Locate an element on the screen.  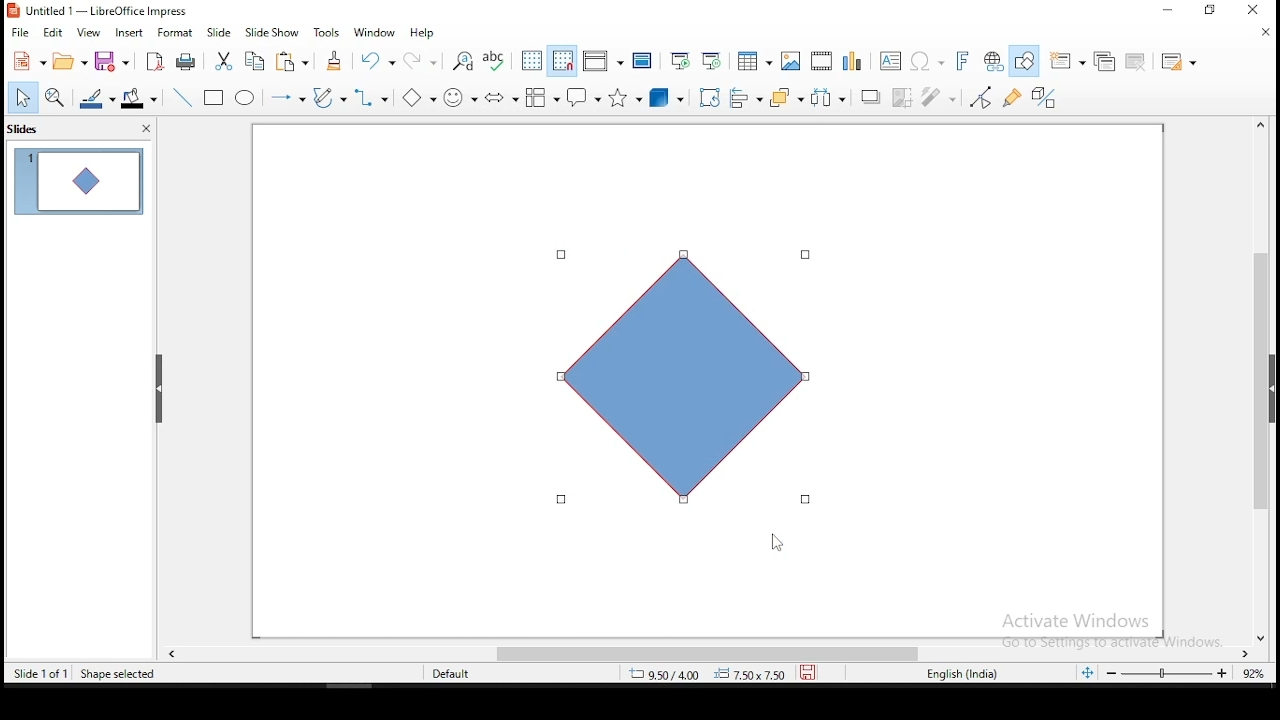
save is located at coordinates (114, 61).